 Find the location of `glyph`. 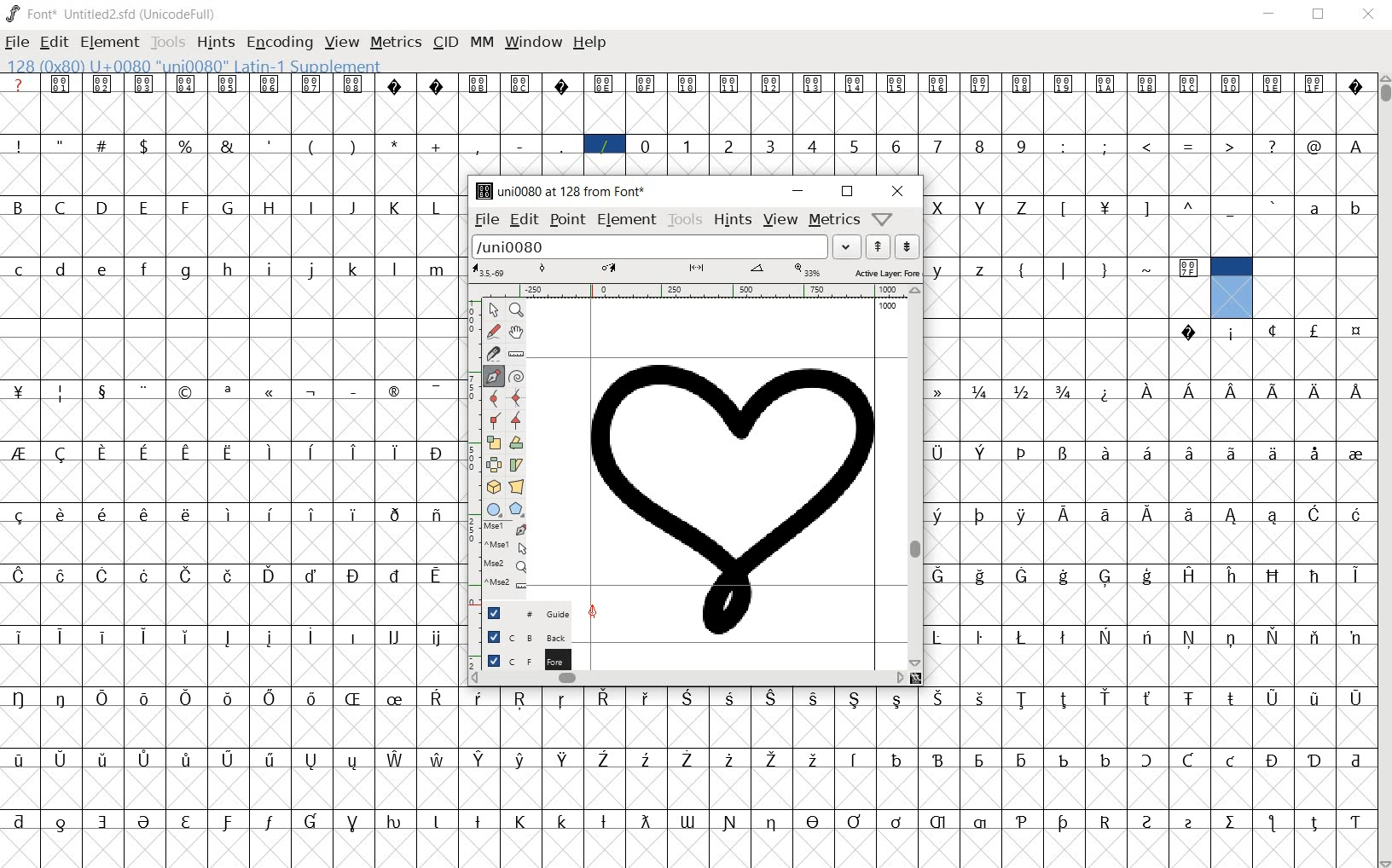

glyph is located at coordinates (1064, 513).